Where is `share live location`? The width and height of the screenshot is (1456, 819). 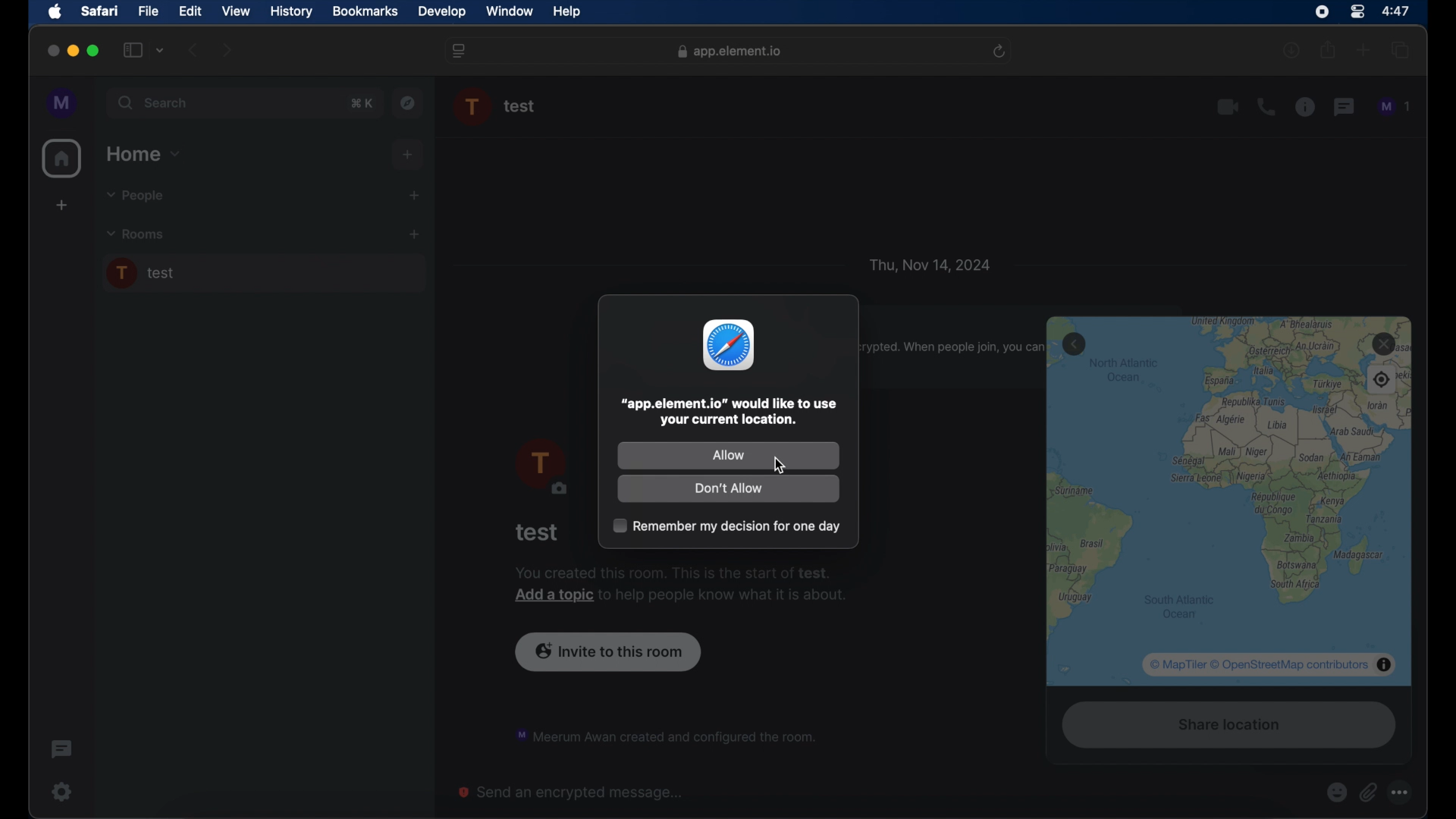 share live location is located at coordinates (1225, 727).